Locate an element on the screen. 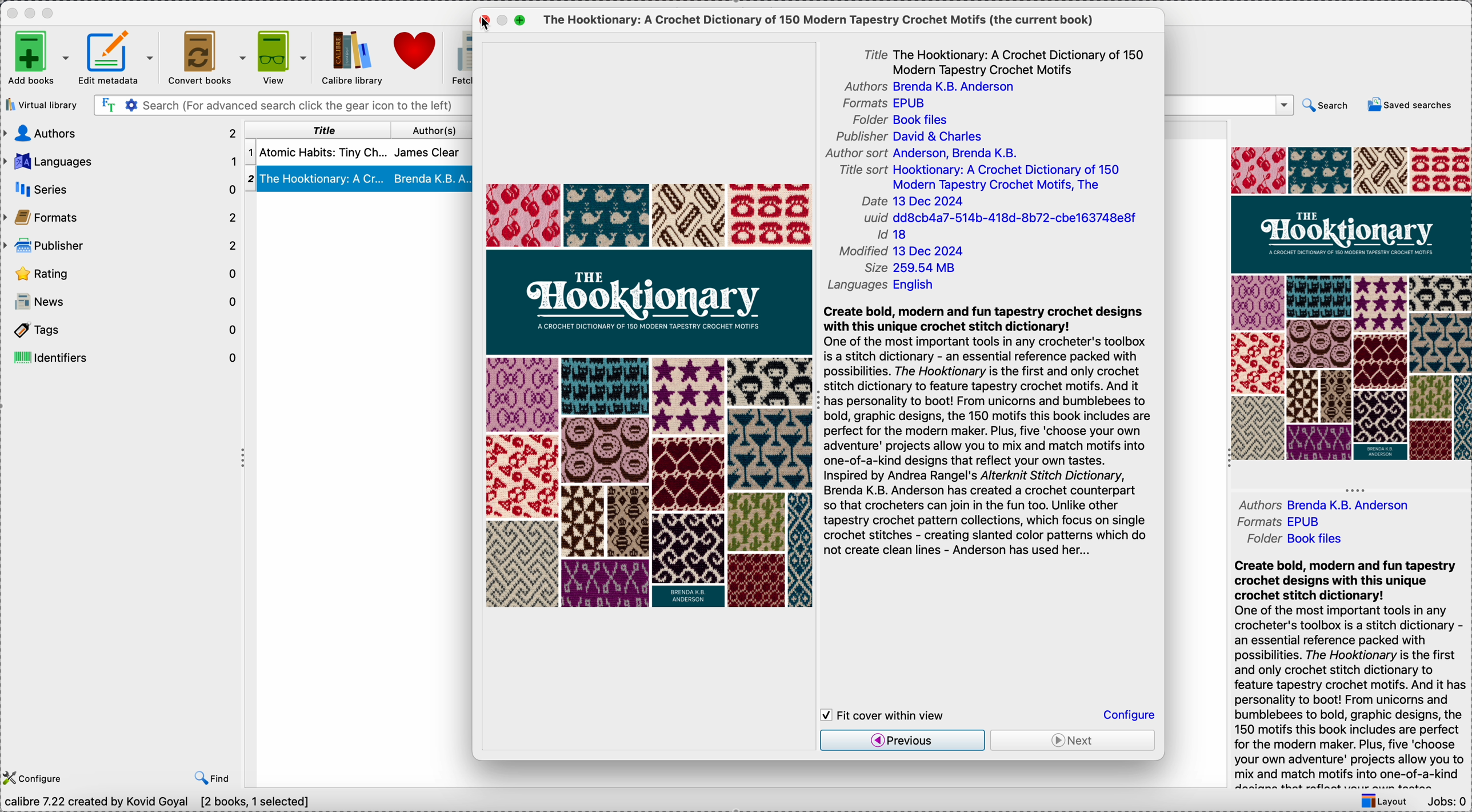 The width and height of the screenshot is (1472, 812). jobs: 0 is located at coordinates (1446, 800).